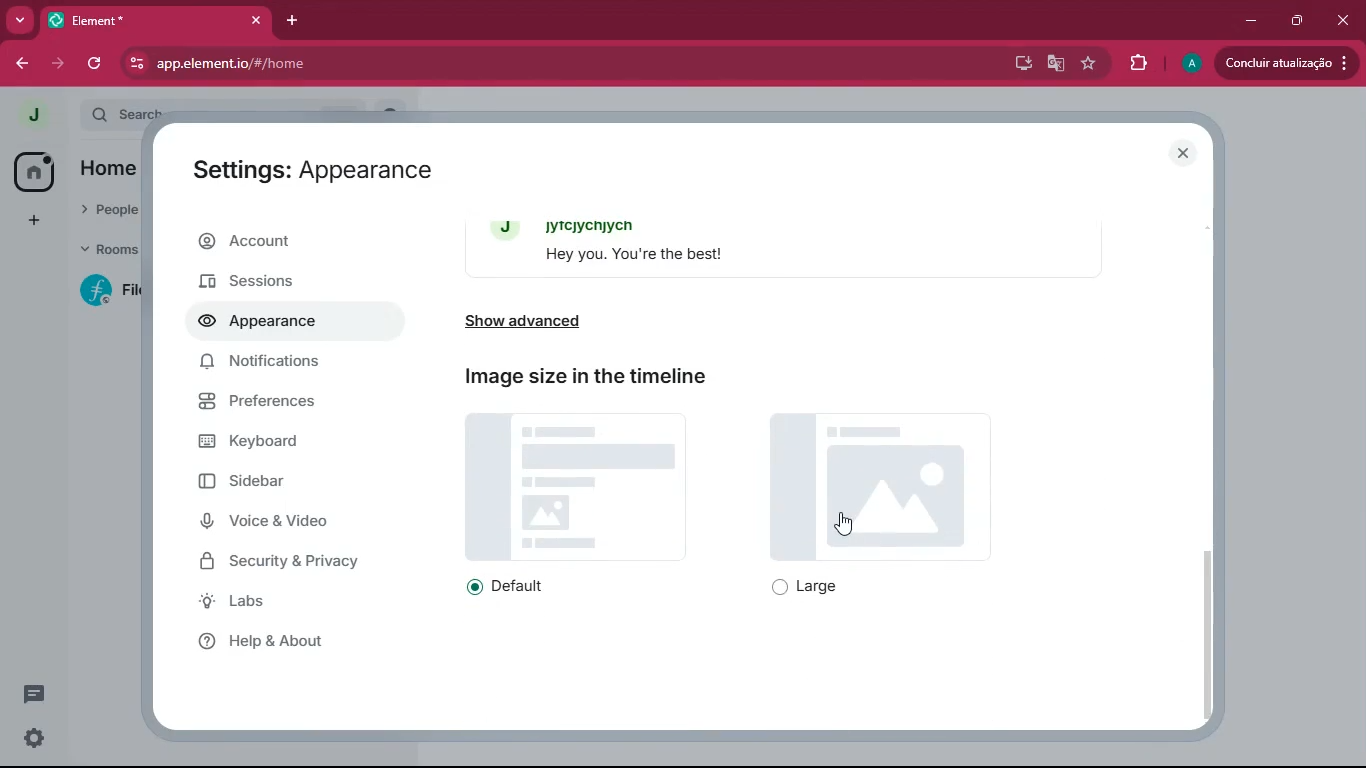 The image size is (1366, 768). I want to click on Settings: Appearance, so click(314, 174).